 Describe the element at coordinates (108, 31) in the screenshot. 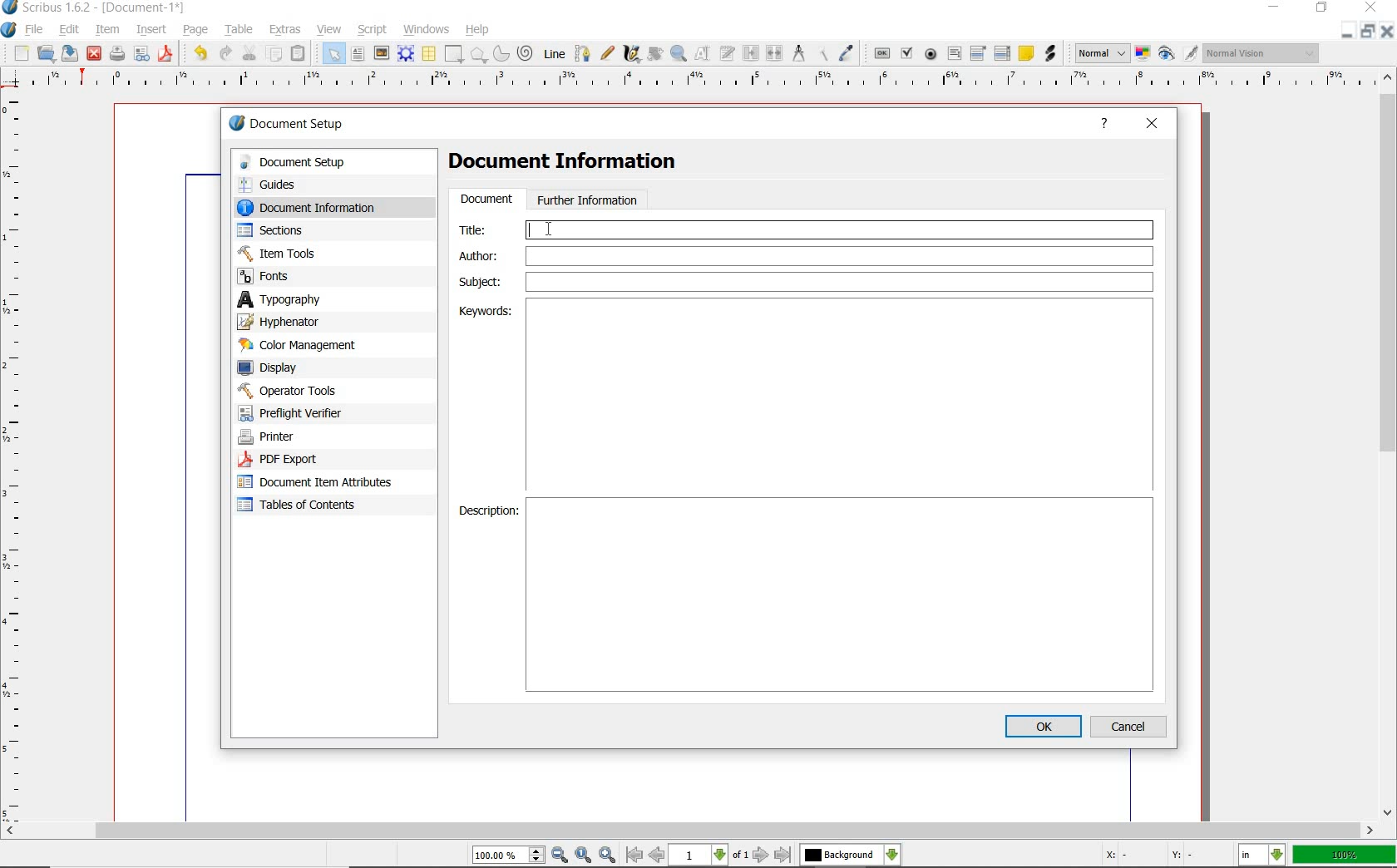

I see `item` at that location.